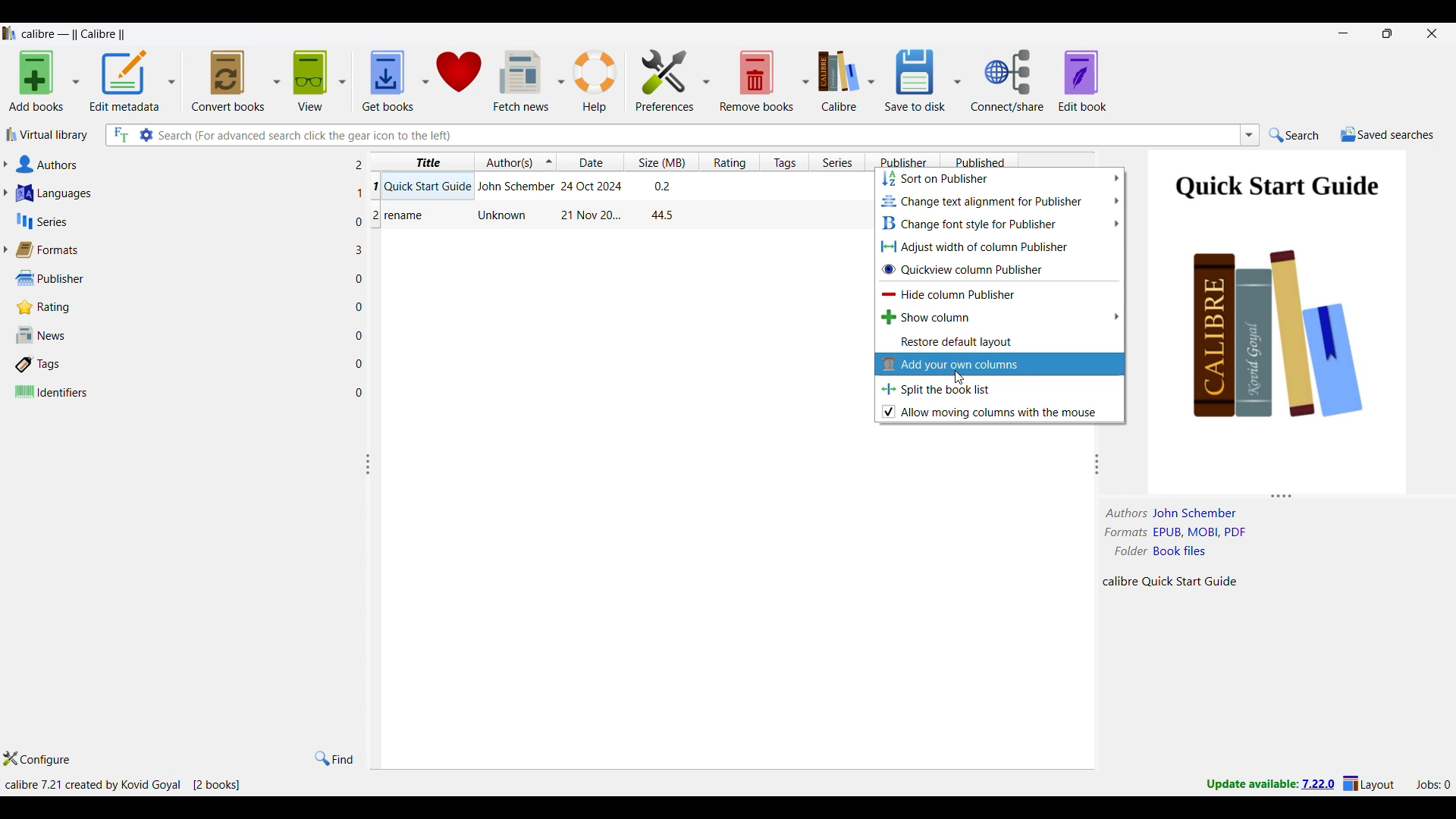 This screenshot has width=1456, height=819. Describe the element at coordinates (1281, 320) in the screenshot. I see `Book preview` at that location.